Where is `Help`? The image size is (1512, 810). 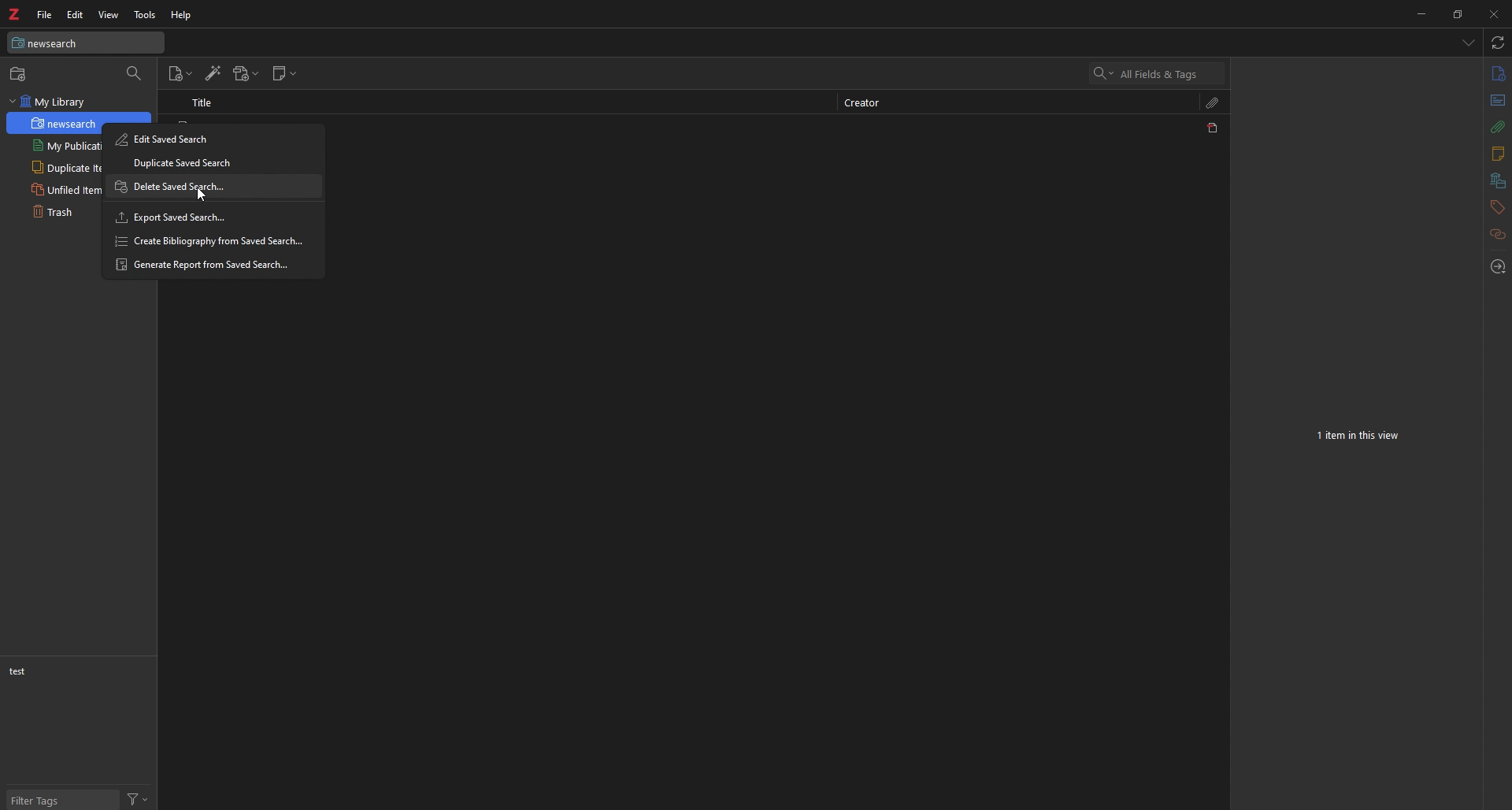 Help is located at coordinates (176, 14).